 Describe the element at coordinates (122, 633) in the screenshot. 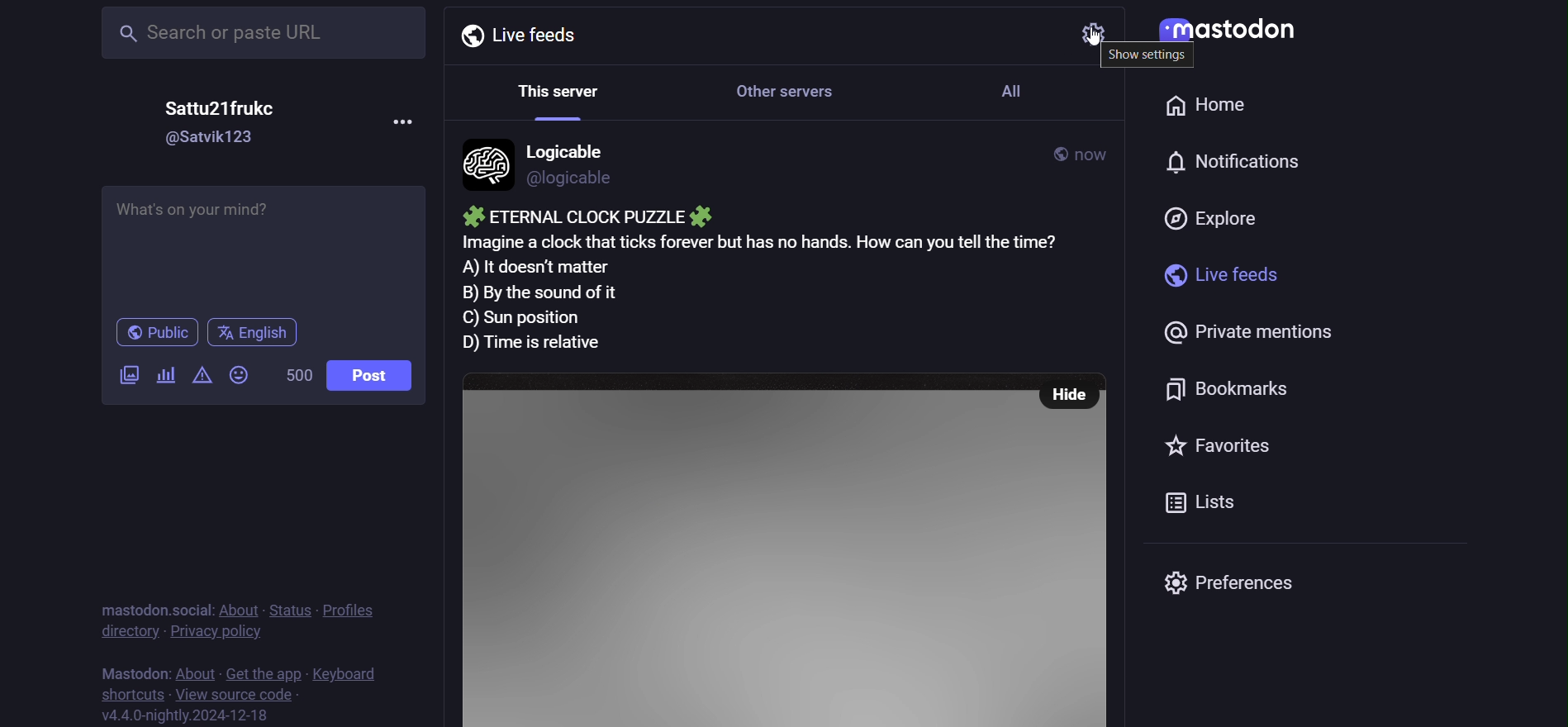

I see `directory` at that location.